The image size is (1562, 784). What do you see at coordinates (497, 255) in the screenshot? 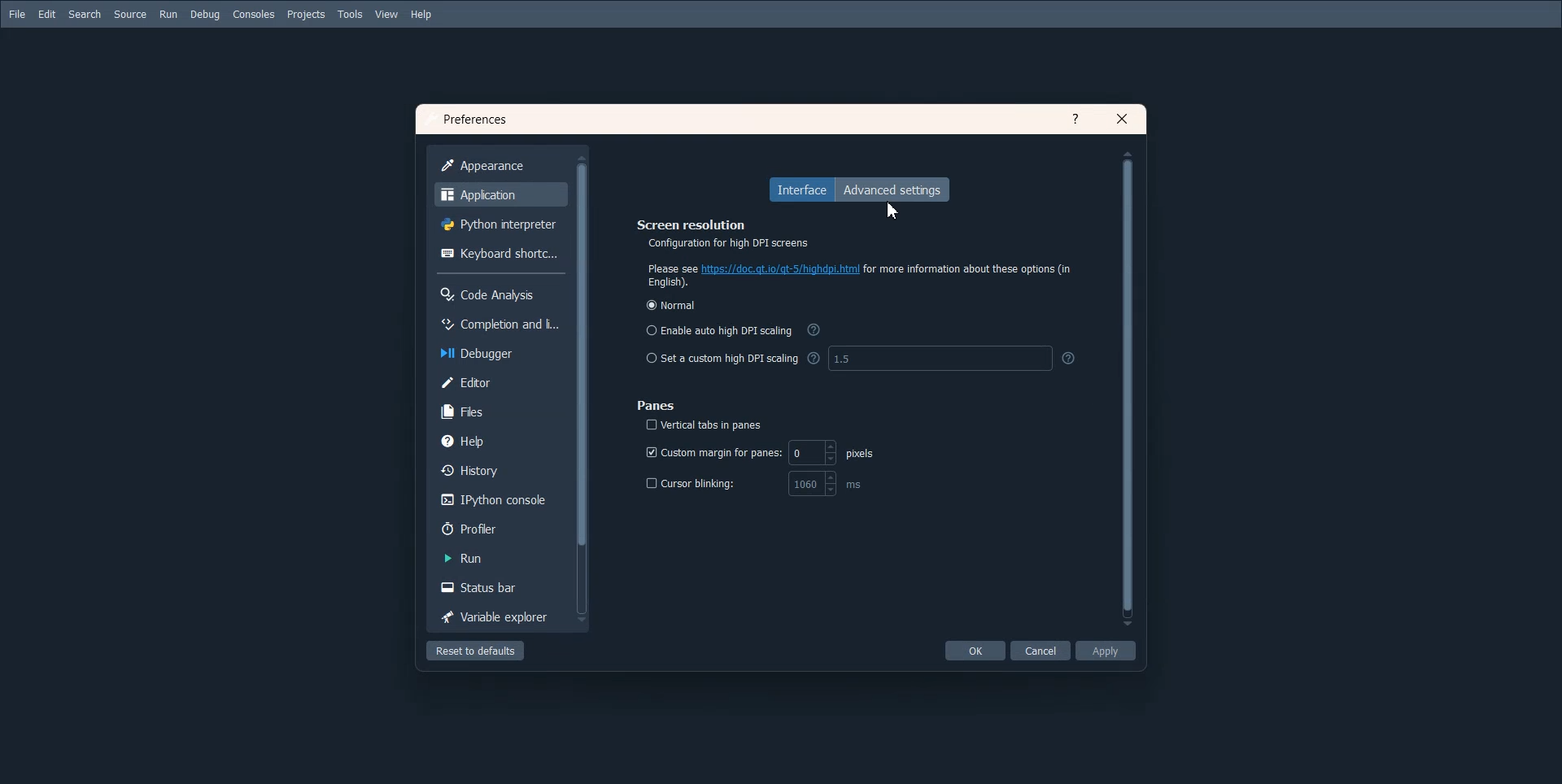
I see `Keyboard shortcuts` at bounding box center [497, 255].